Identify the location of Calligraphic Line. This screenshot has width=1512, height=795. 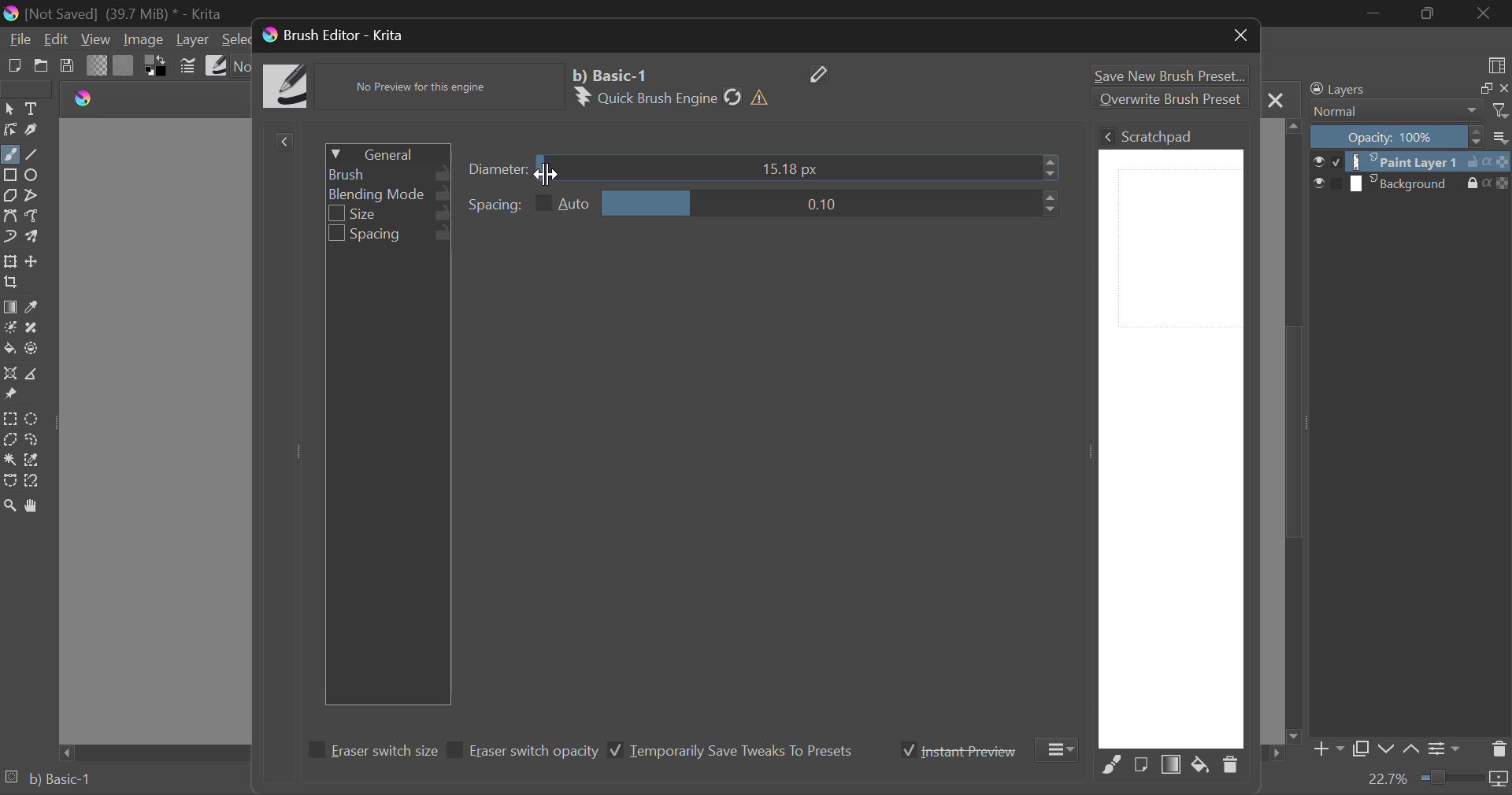
(30, 129).